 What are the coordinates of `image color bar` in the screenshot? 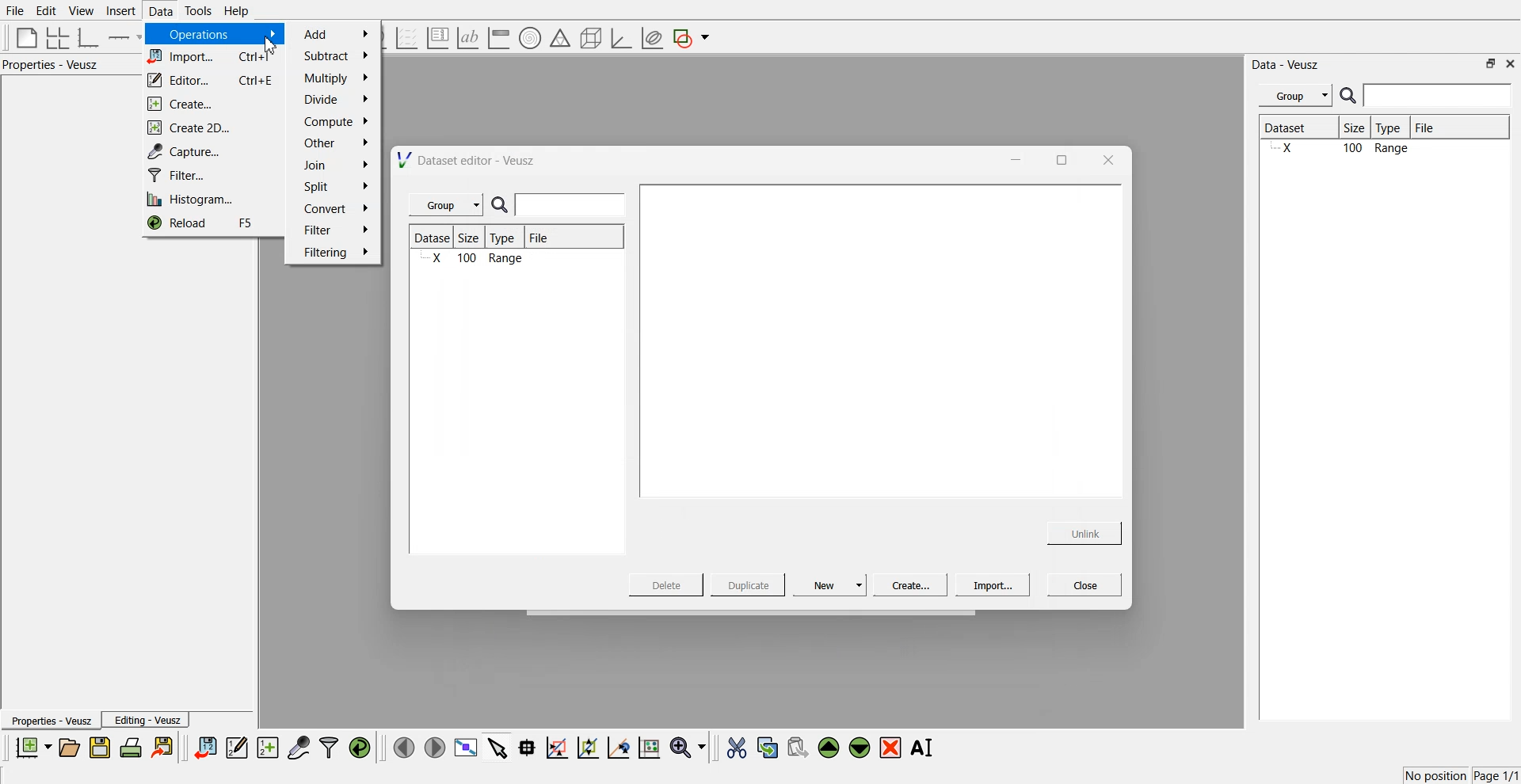 It's located at (498, 39).